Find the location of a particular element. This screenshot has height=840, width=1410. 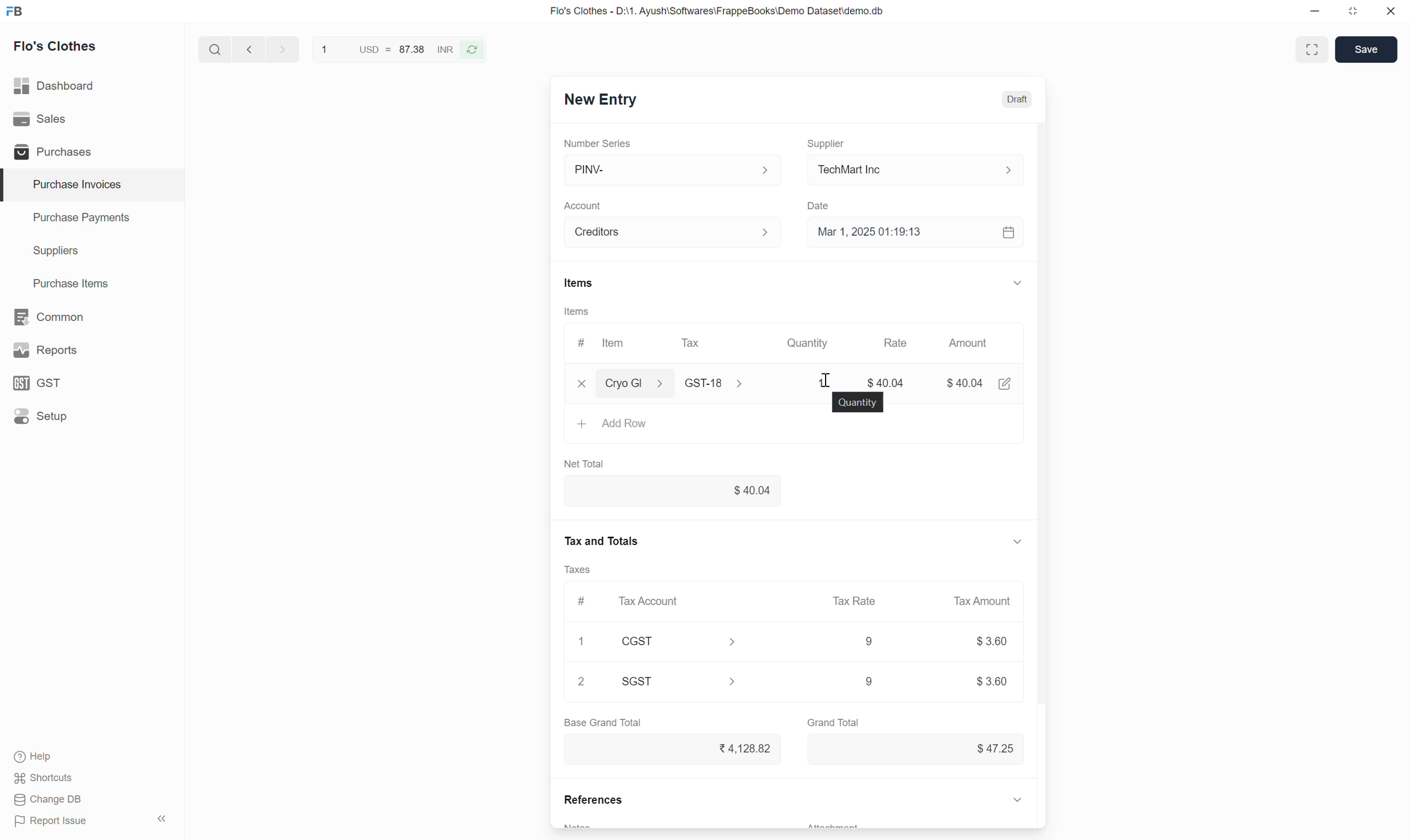

Tax Account is located at coordinates (652, 600).